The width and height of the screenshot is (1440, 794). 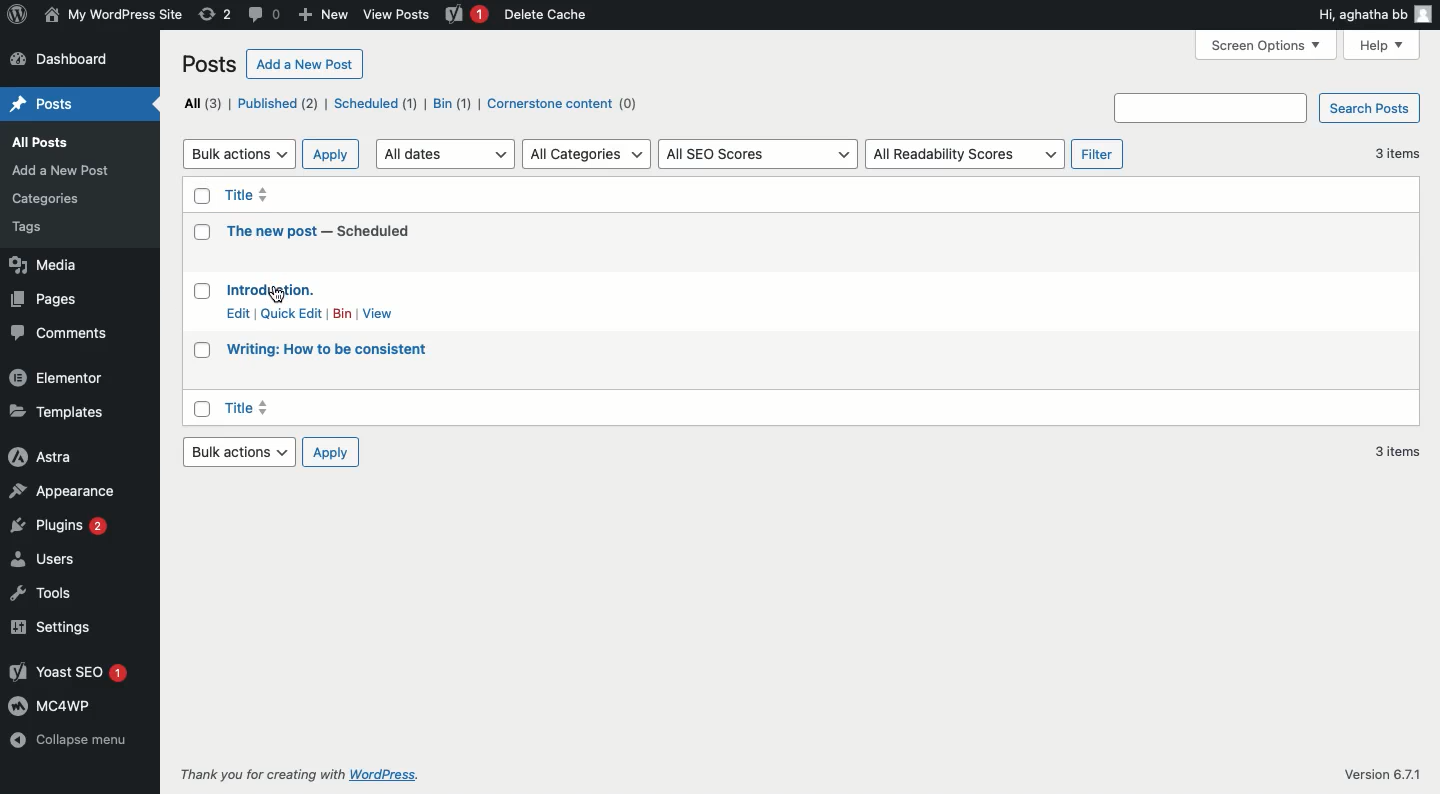 I want to click on checkbox, so click(x=201, y=291).